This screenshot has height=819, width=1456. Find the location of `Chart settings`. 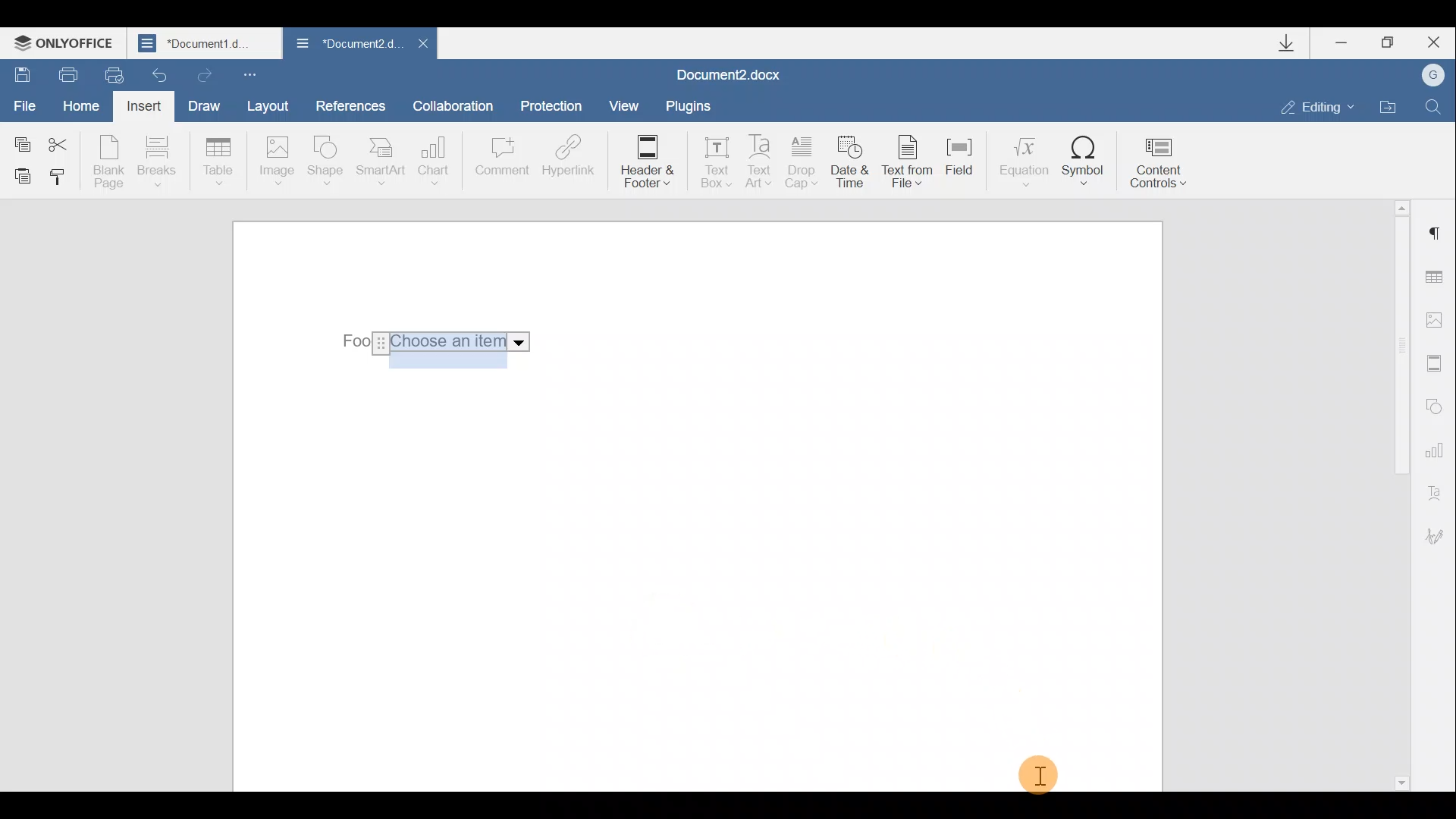

Chart settings is located at coordinates (1437, 448).